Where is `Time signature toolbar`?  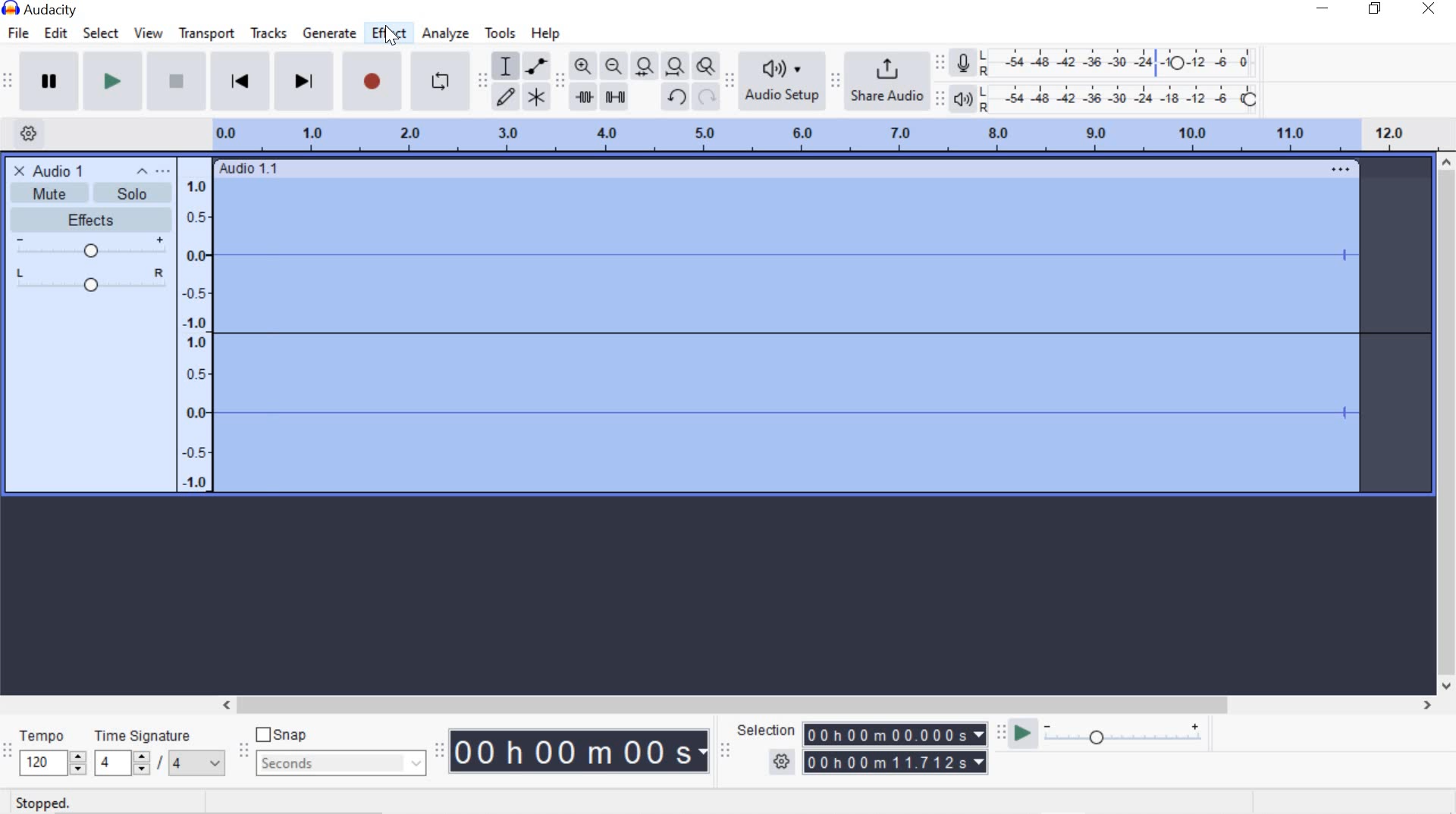 Time signature toolbar is located at coordinates (8, 751).